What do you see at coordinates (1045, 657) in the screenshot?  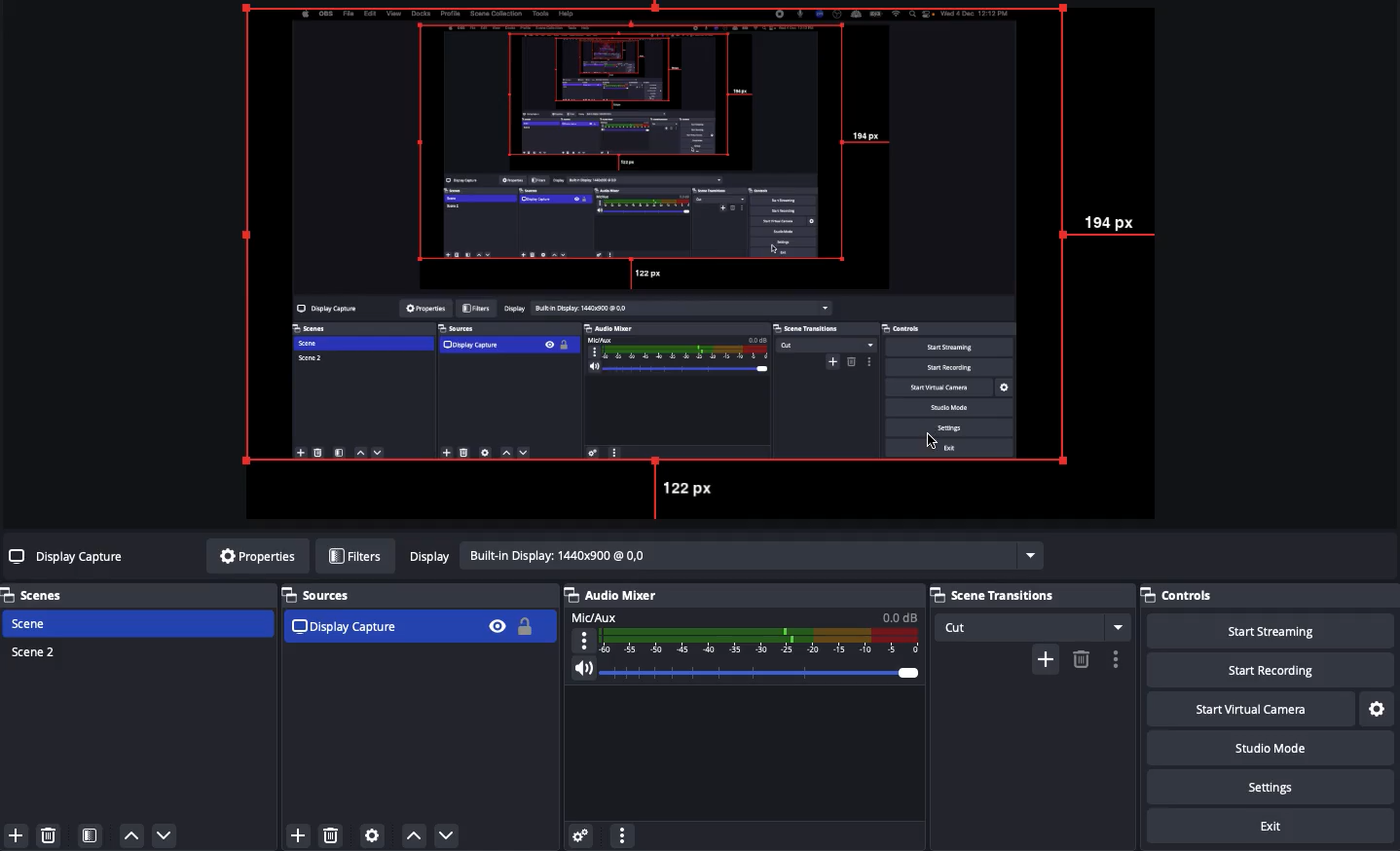 I see `Add` at bounding box center [1045, 657].